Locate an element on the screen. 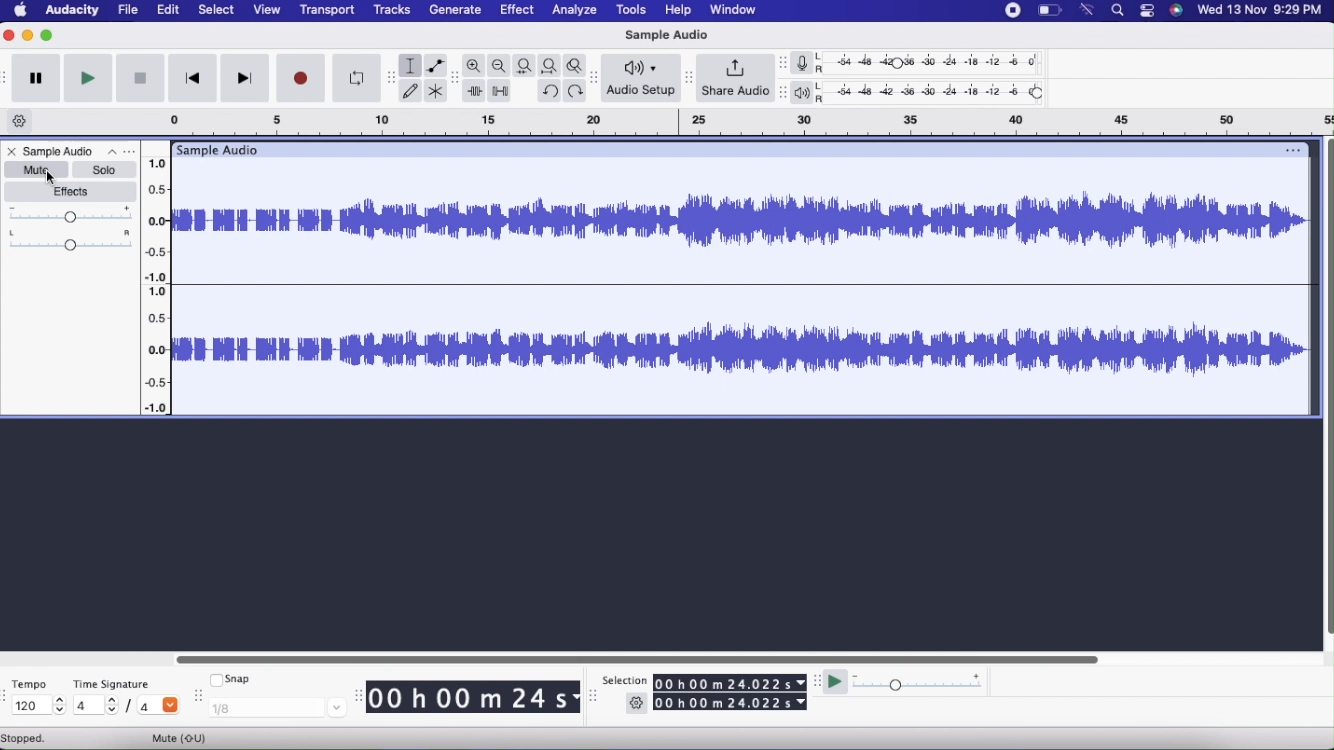  Timeline options is located at coordinates (22, 121).